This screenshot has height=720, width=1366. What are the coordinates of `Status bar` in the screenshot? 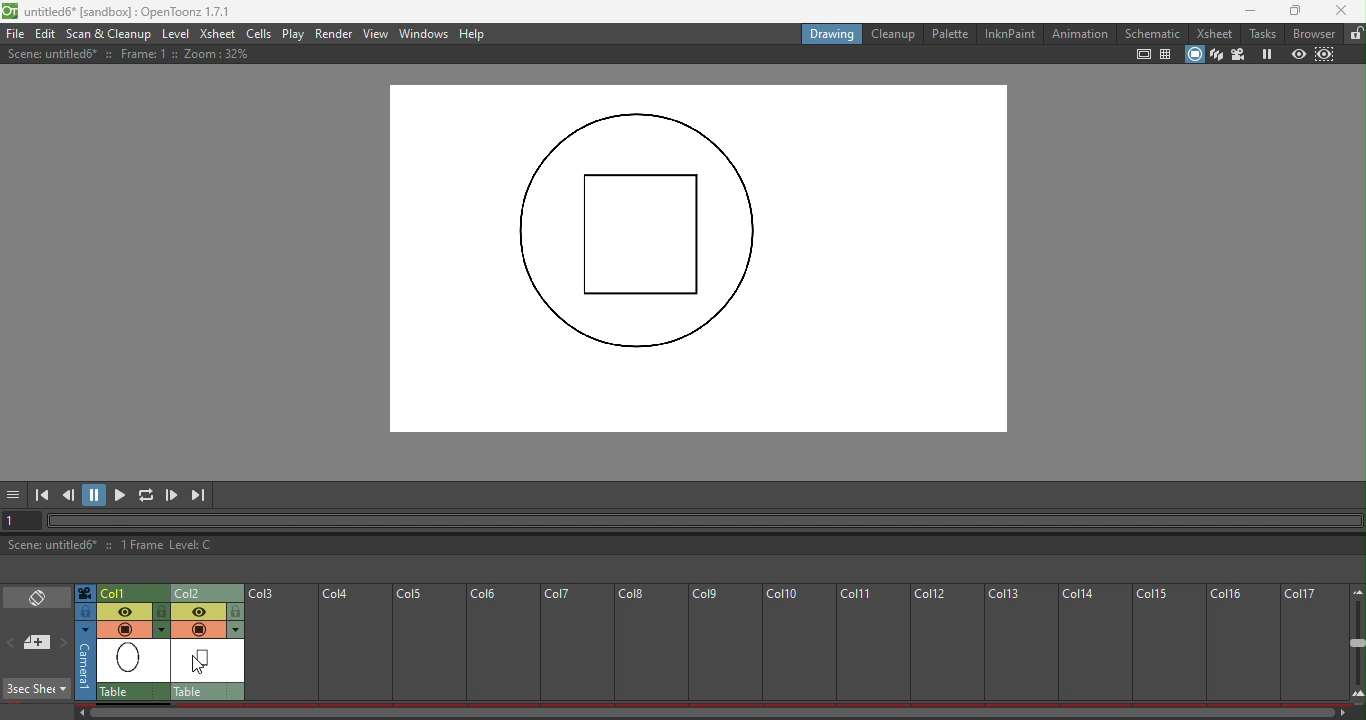 It's located at (682, 546).